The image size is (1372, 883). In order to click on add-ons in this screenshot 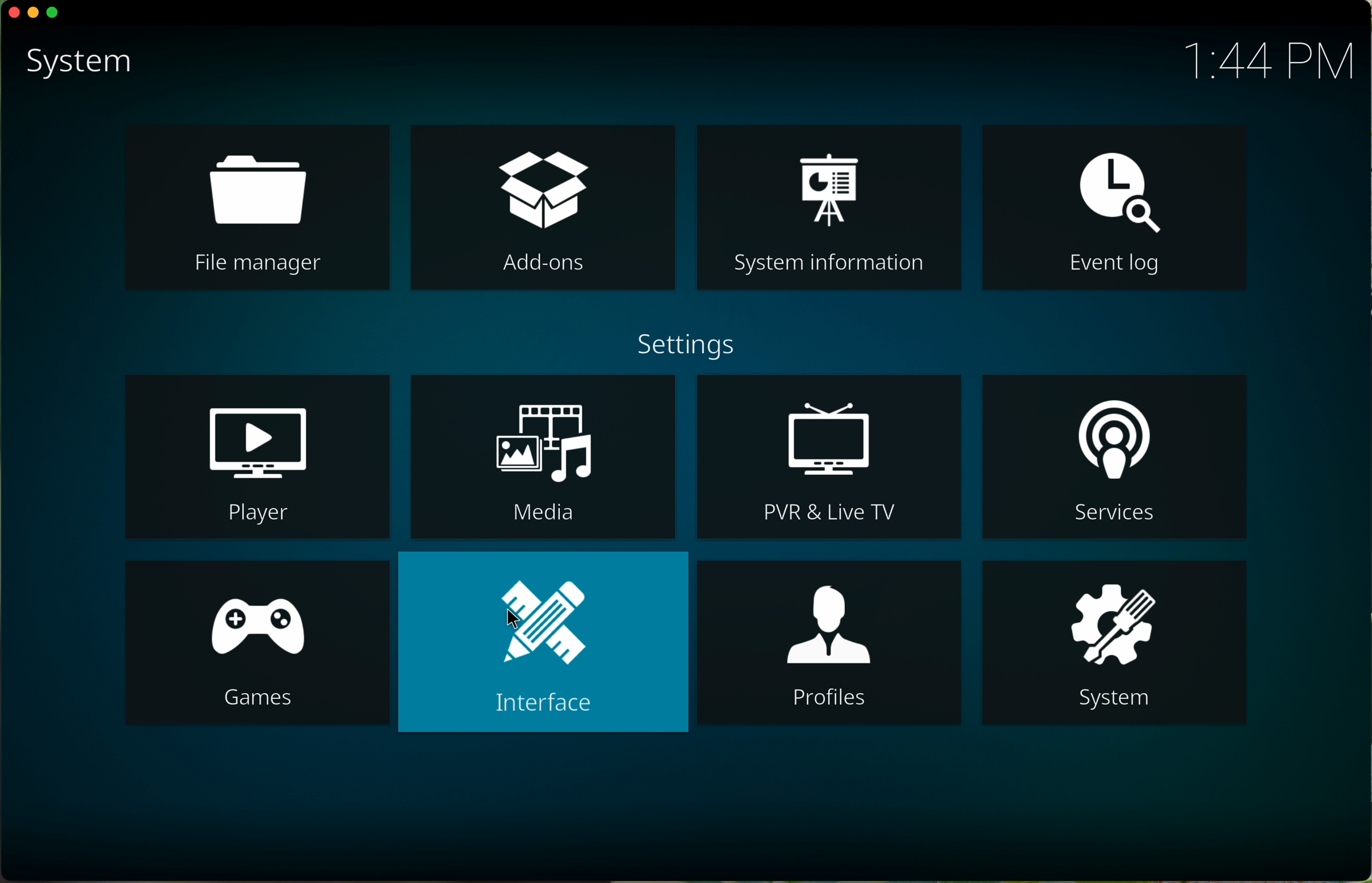, I will do `click(543, 209)`.